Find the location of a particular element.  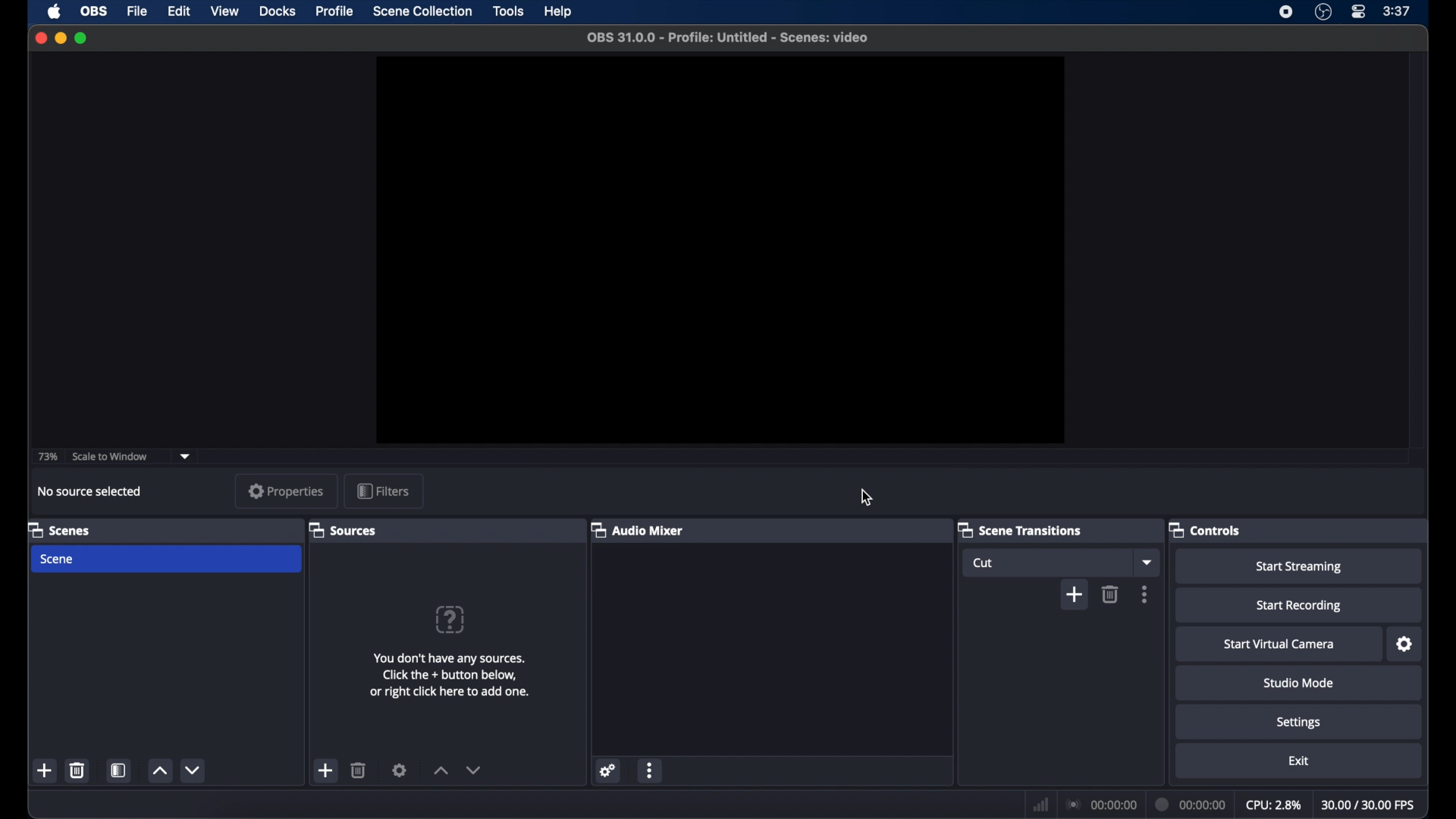

delete is located at coordinates (1110, 594).